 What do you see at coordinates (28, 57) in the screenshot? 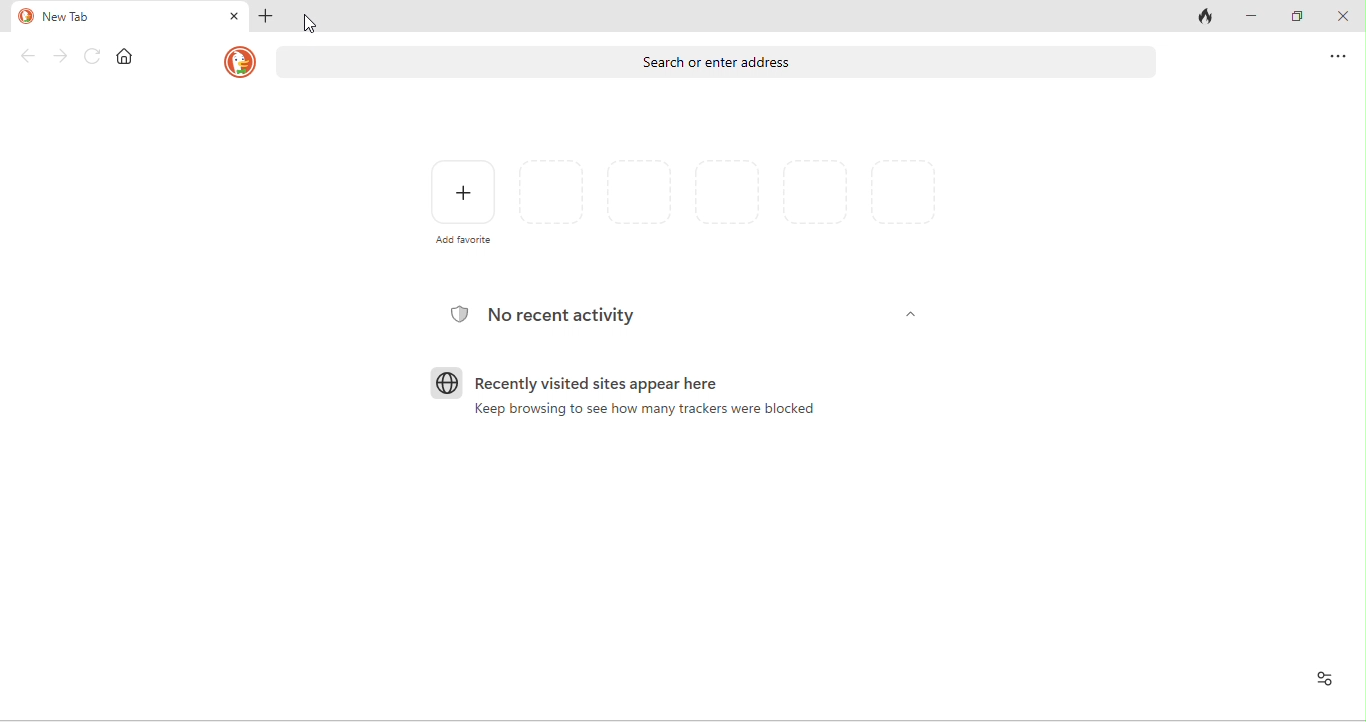
I see `back` at bounding box center [28, 57].